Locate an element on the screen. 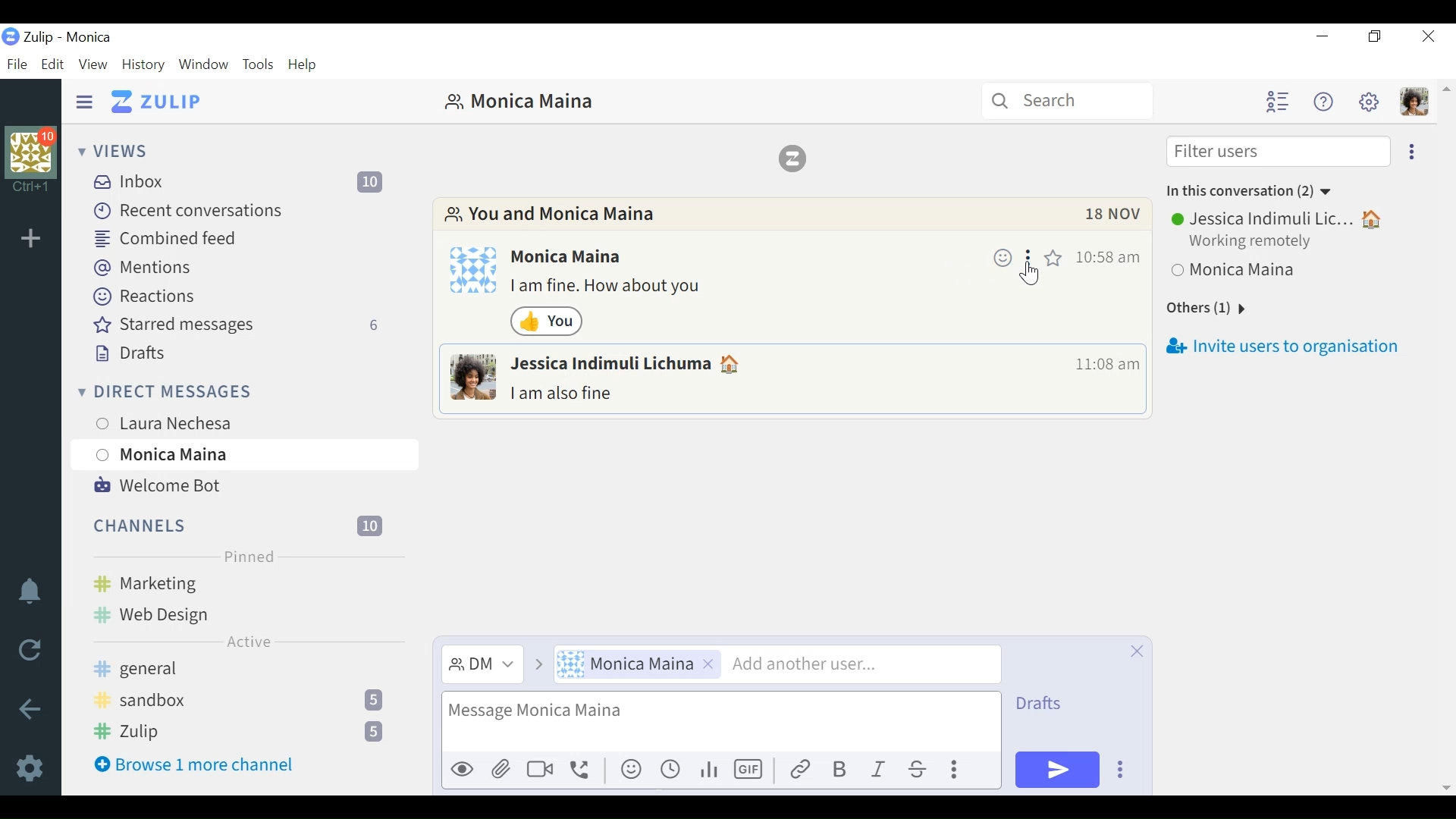  Ctrl+1 shortcut is located at coordinates (31, 187).